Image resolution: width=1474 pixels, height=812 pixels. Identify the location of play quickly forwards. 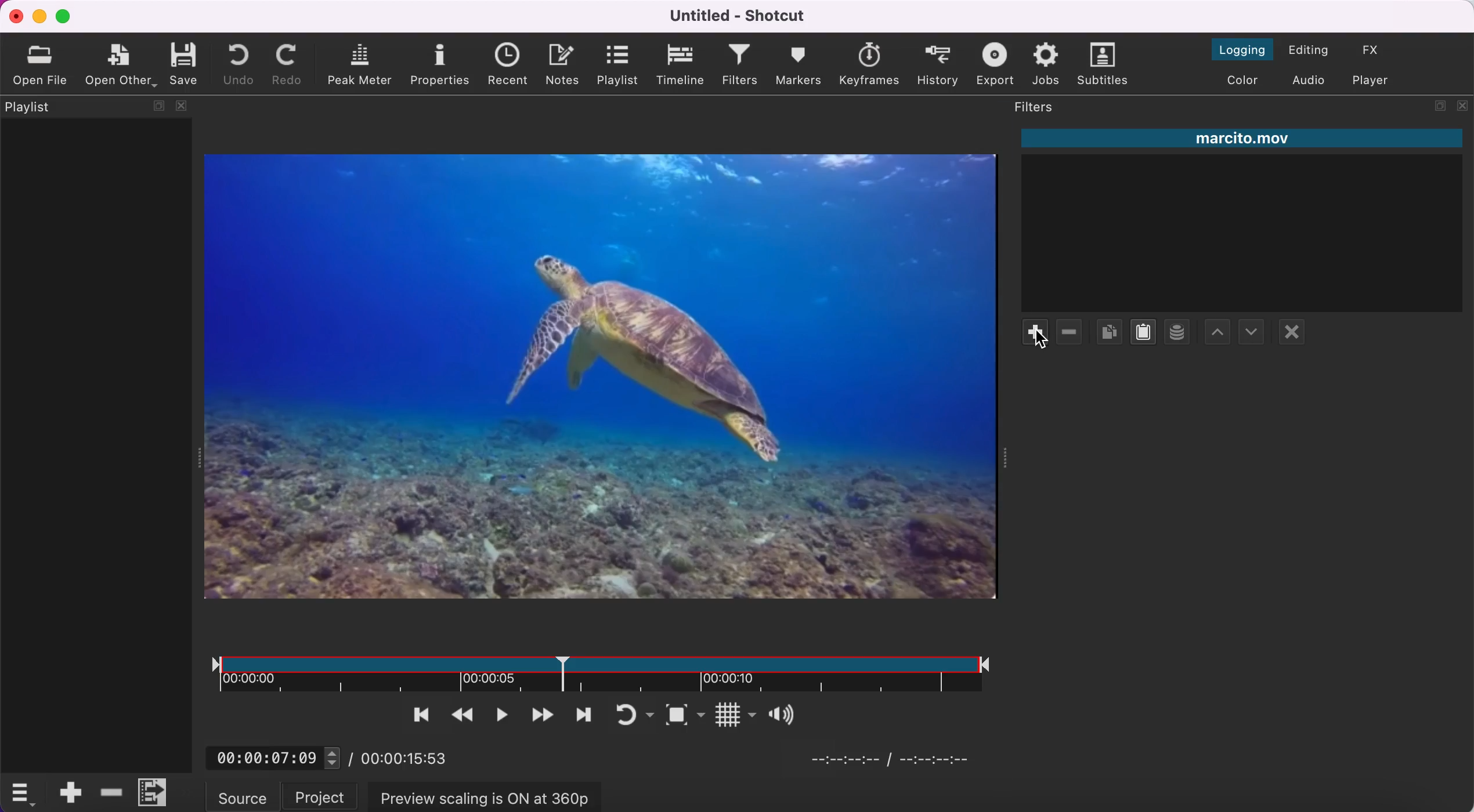
(541, 713).